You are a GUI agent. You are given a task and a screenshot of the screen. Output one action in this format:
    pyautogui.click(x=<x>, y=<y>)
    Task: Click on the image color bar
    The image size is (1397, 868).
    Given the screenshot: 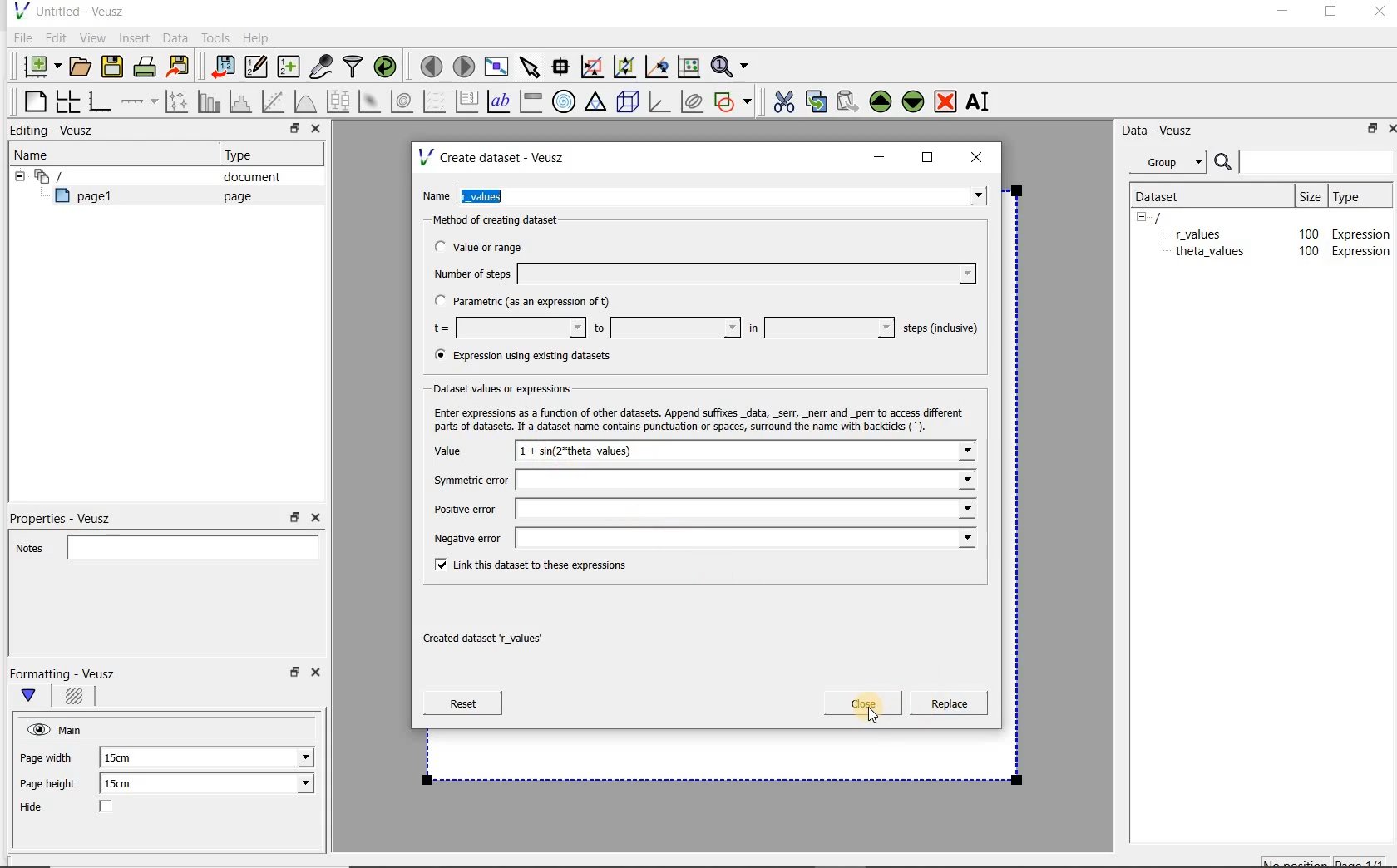 What is the action you would take?
    pyautogui.click(x=531, y=101)
    